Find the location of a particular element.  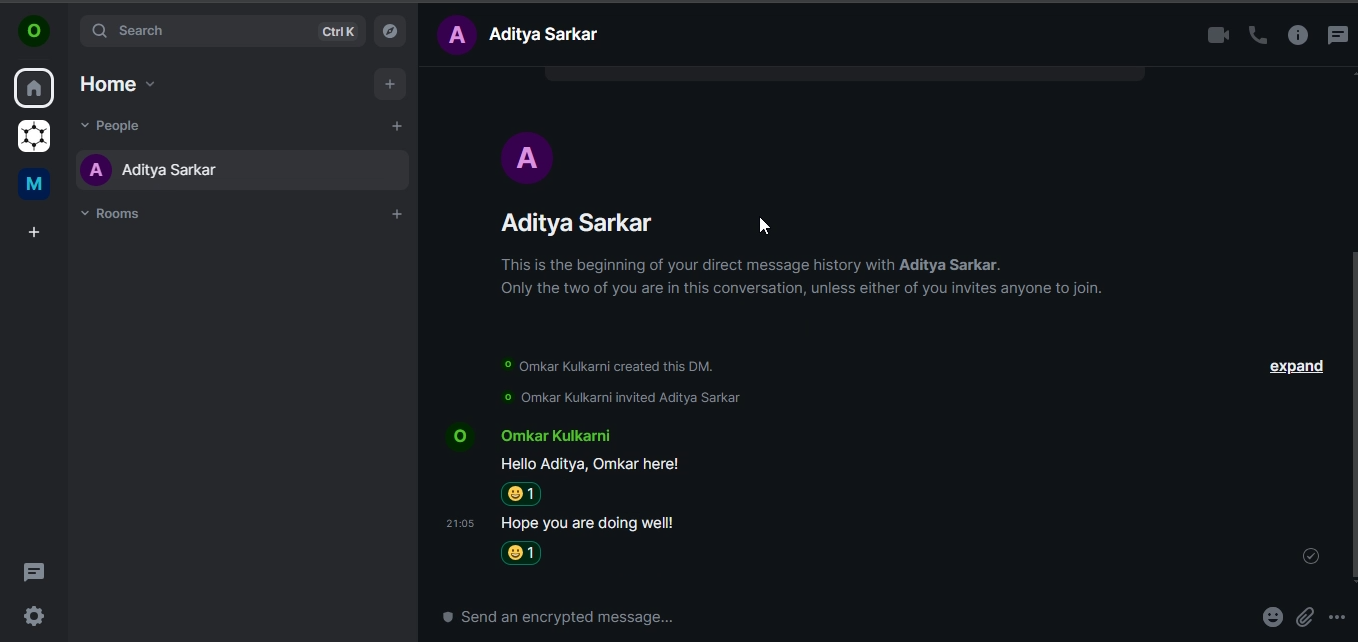

people is located at coordinates (117, 125).